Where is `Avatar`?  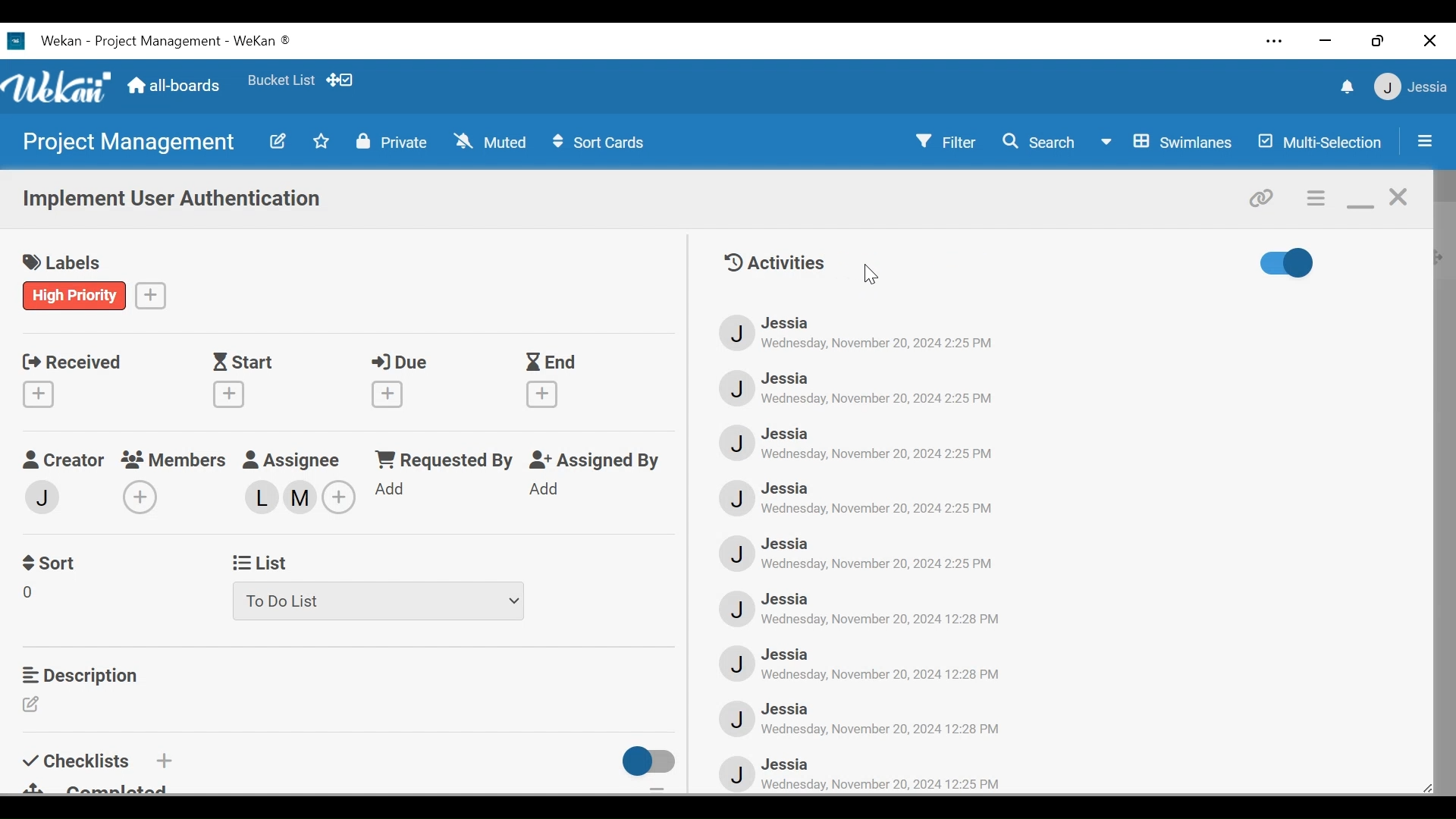 Avatar is located at coordinates (732, 333).